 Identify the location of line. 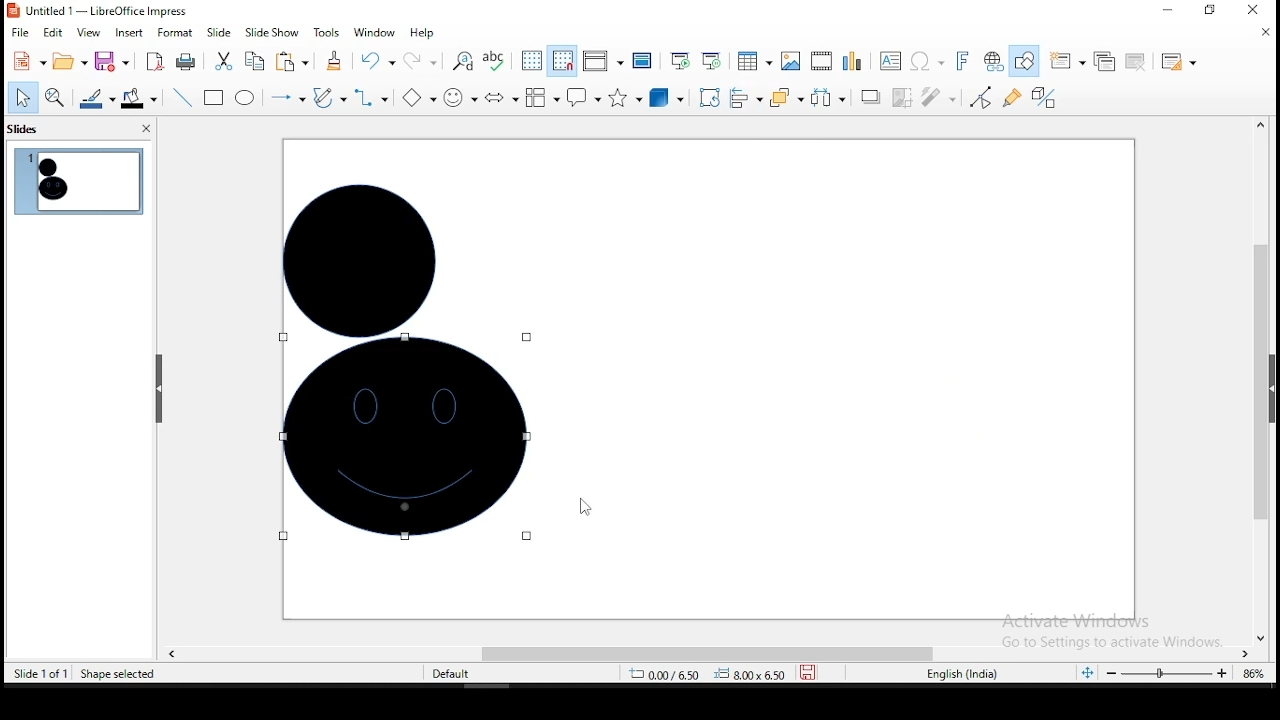
(182, 98).